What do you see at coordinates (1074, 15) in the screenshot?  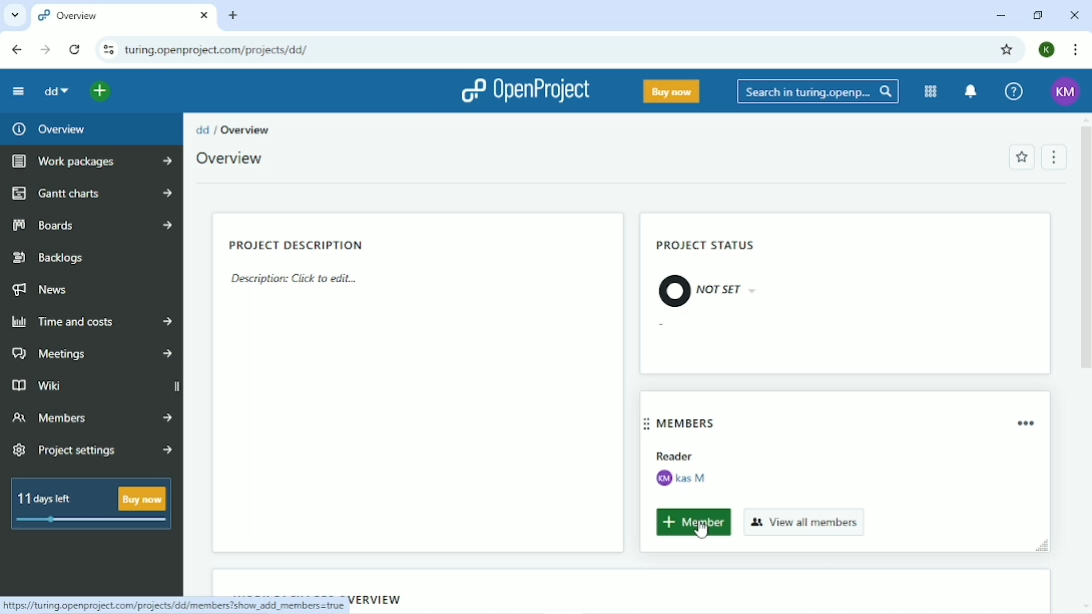 I see `Close` at bounding box center [1074, 15].